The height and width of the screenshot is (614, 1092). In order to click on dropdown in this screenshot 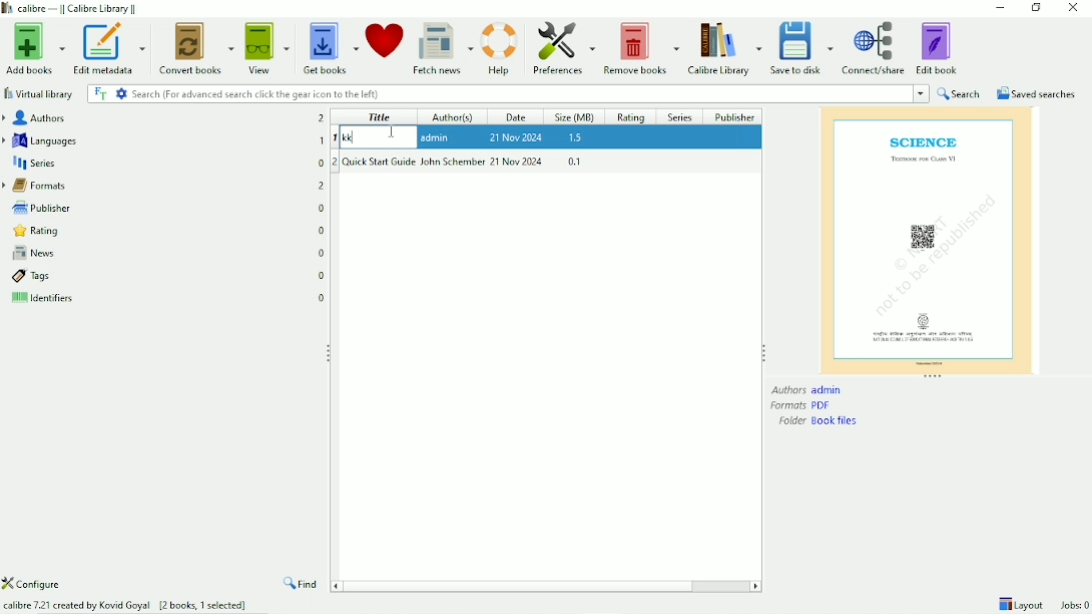, I will do `click(922, 93)`.